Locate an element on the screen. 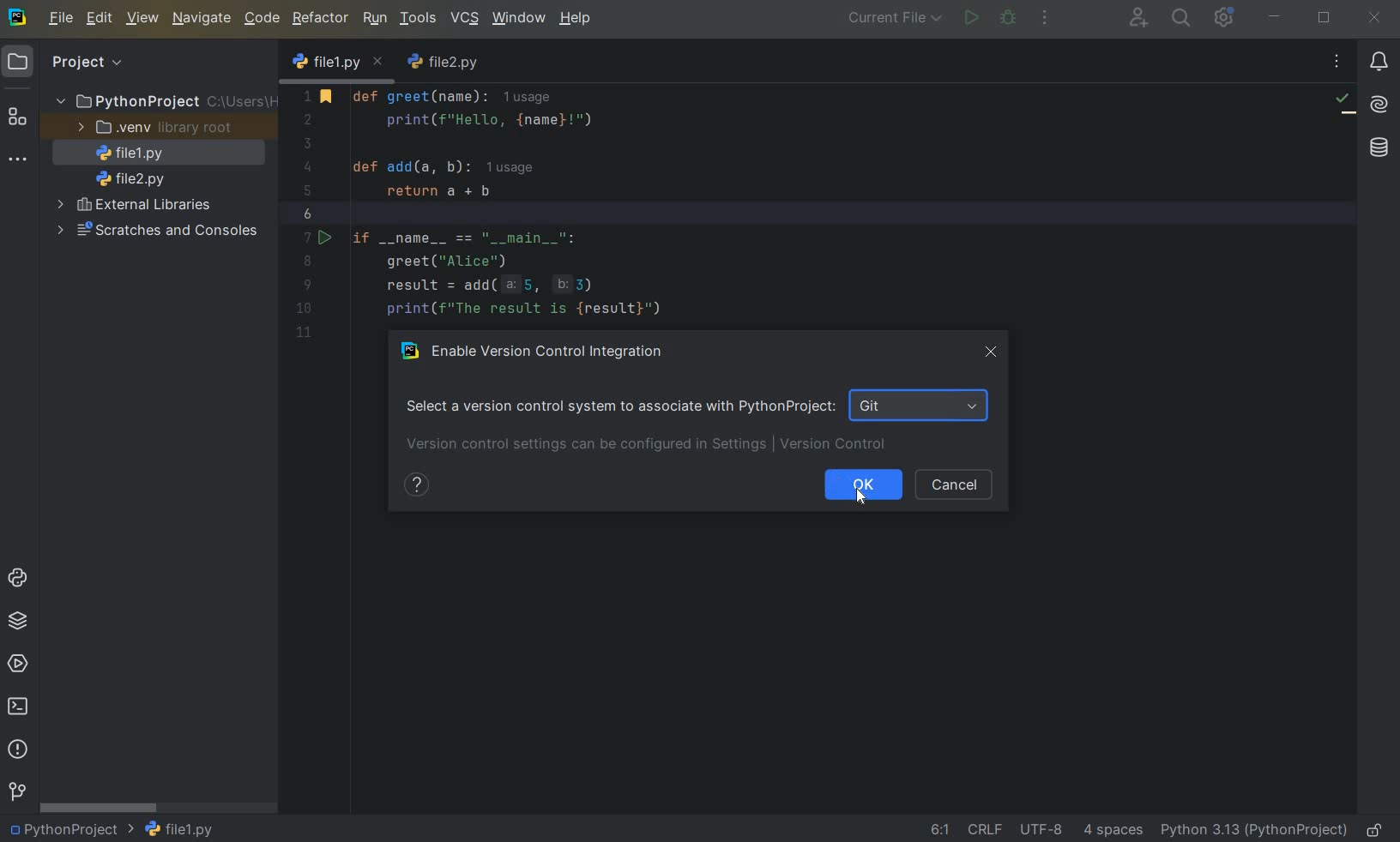  minimize is located at coordinates (1275, 18).